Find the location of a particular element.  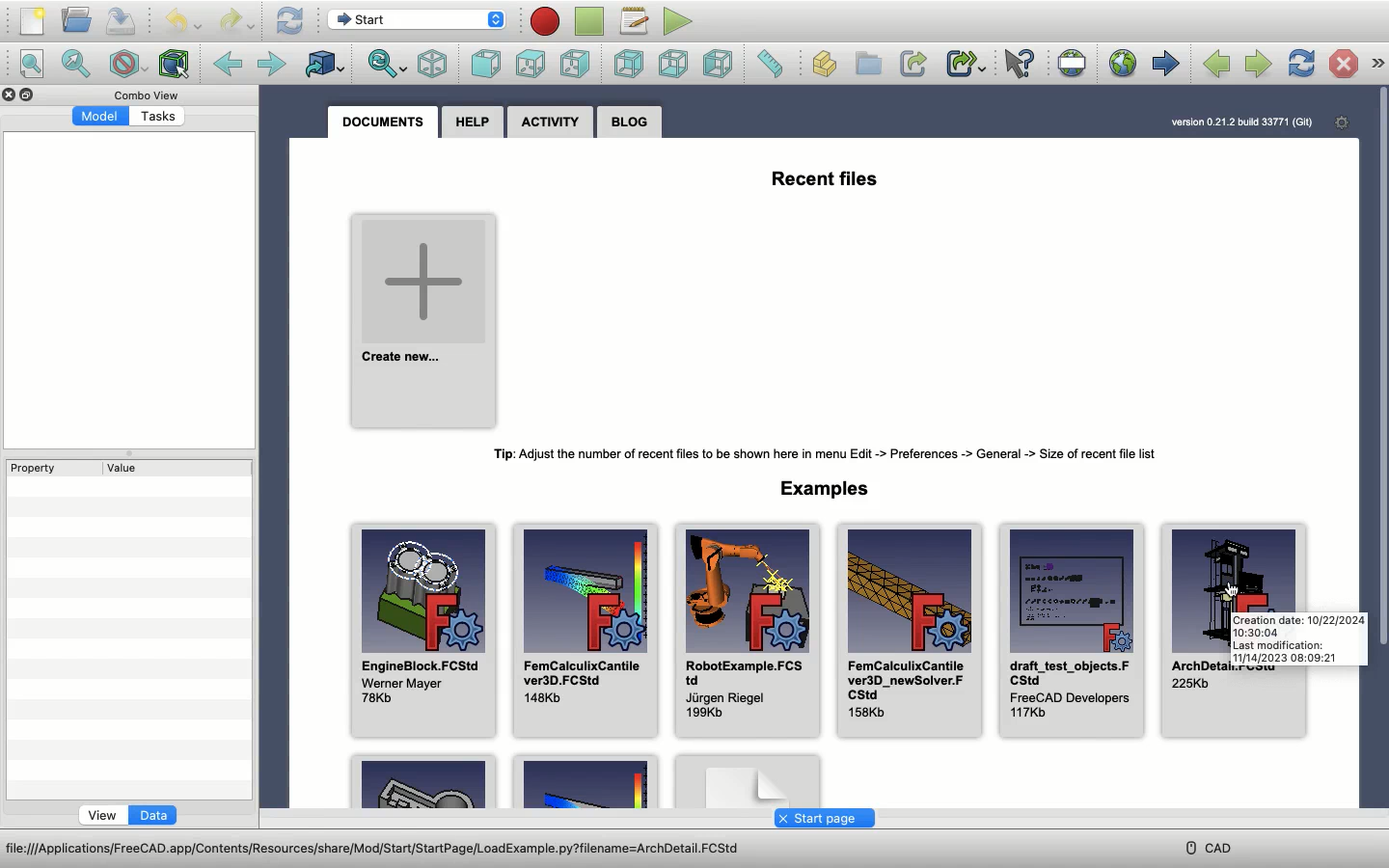

Make sub-link is located at coordinates (967, 65).